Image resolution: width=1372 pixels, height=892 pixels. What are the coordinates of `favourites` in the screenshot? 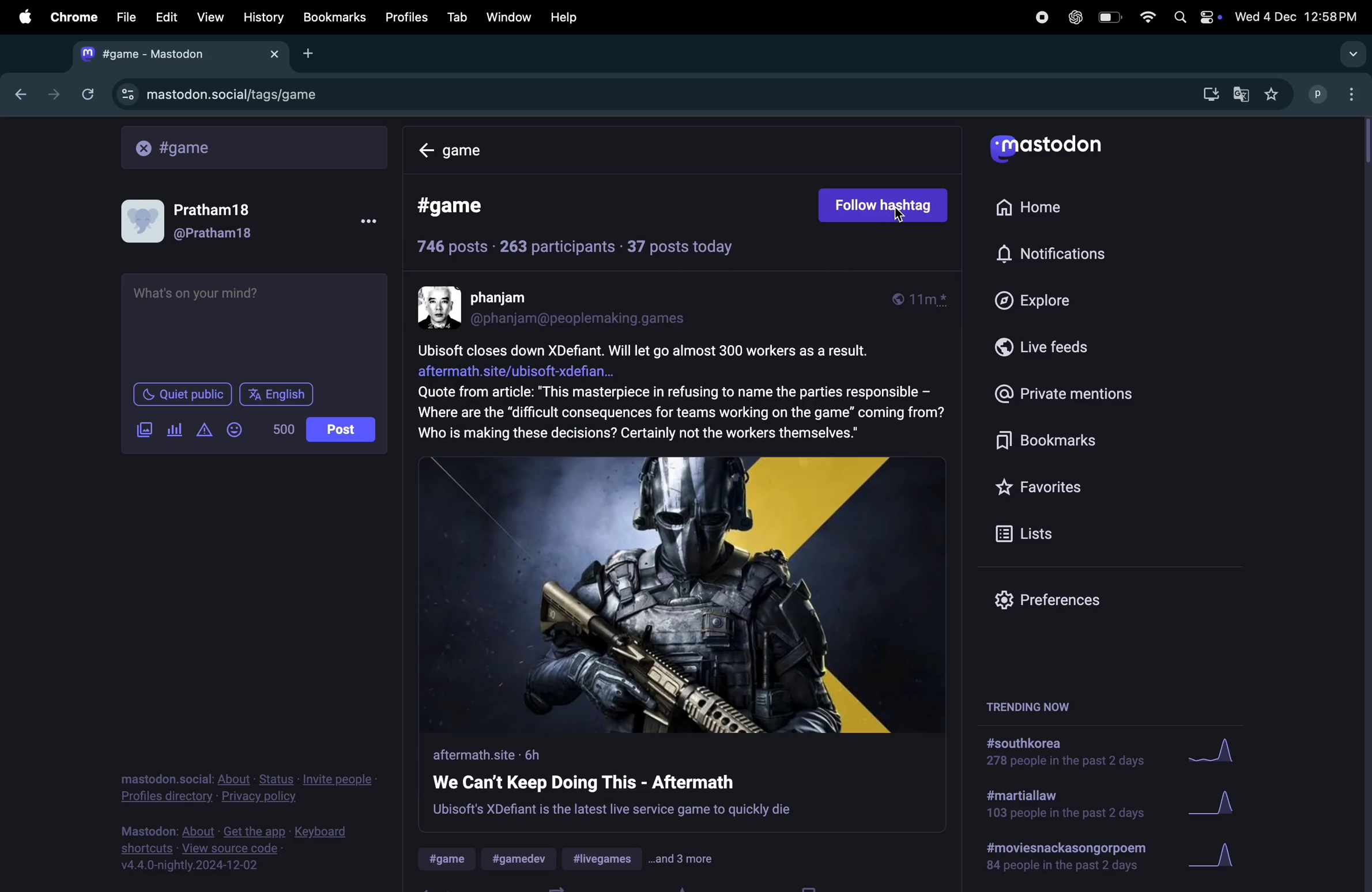 It's located at (1275, 93).